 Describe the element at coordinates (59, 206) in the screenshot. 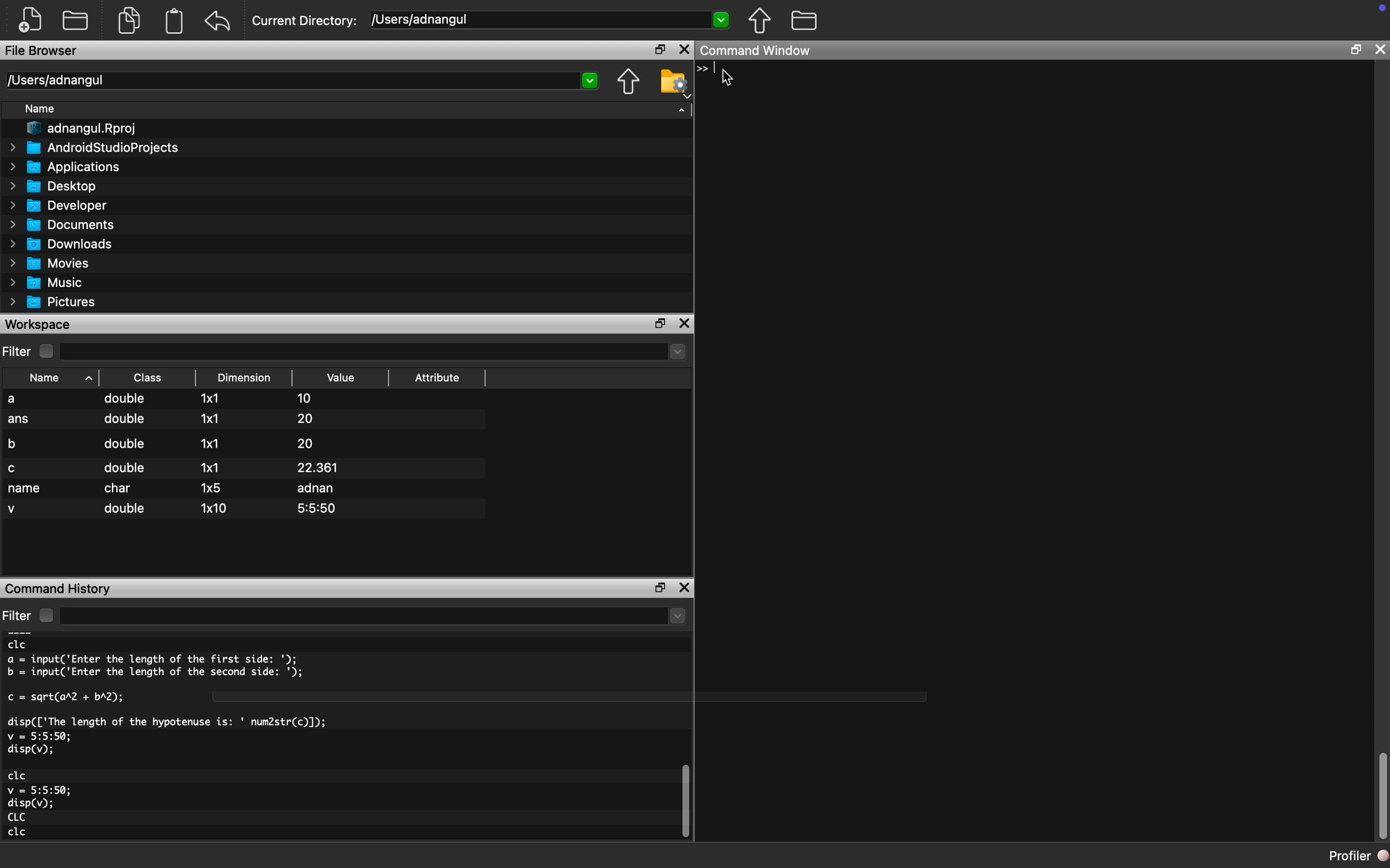

I see `> [3 Developer` at that location.